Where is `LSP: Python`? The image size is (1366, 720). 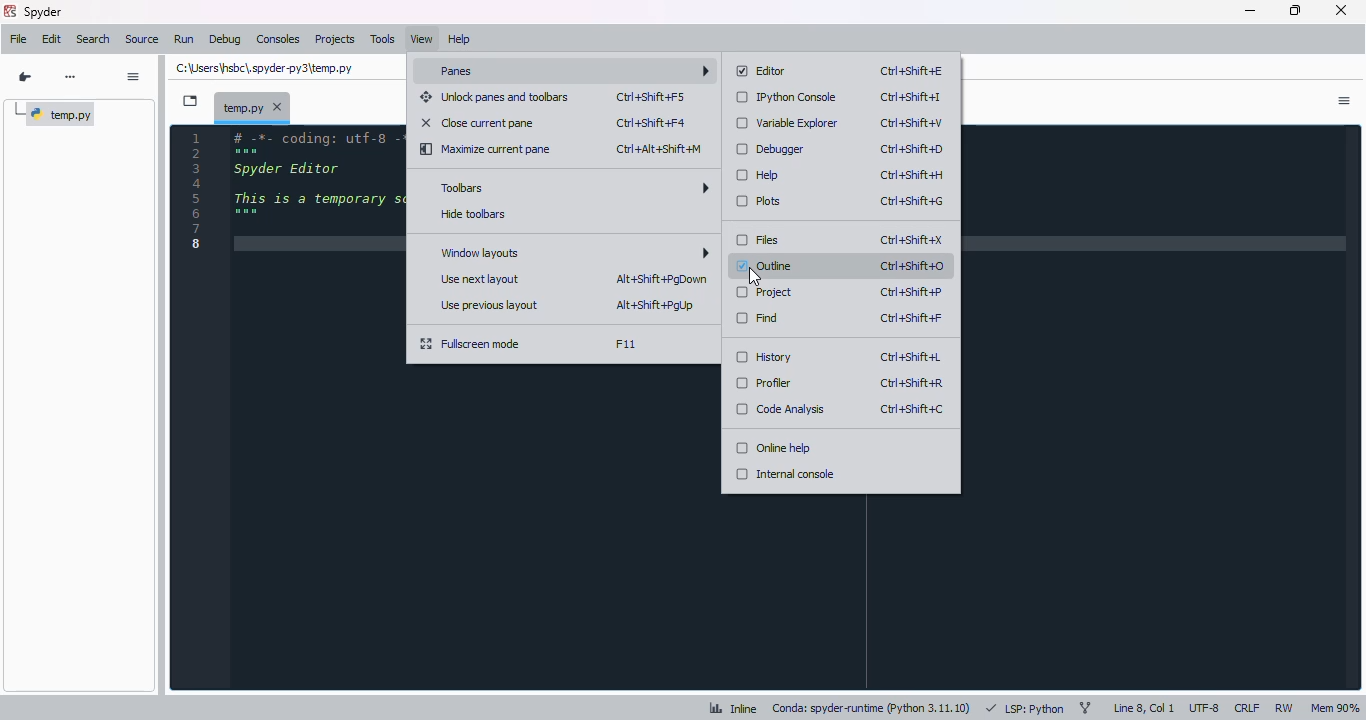
LSP: Python is located at coordinates (1025, 709).